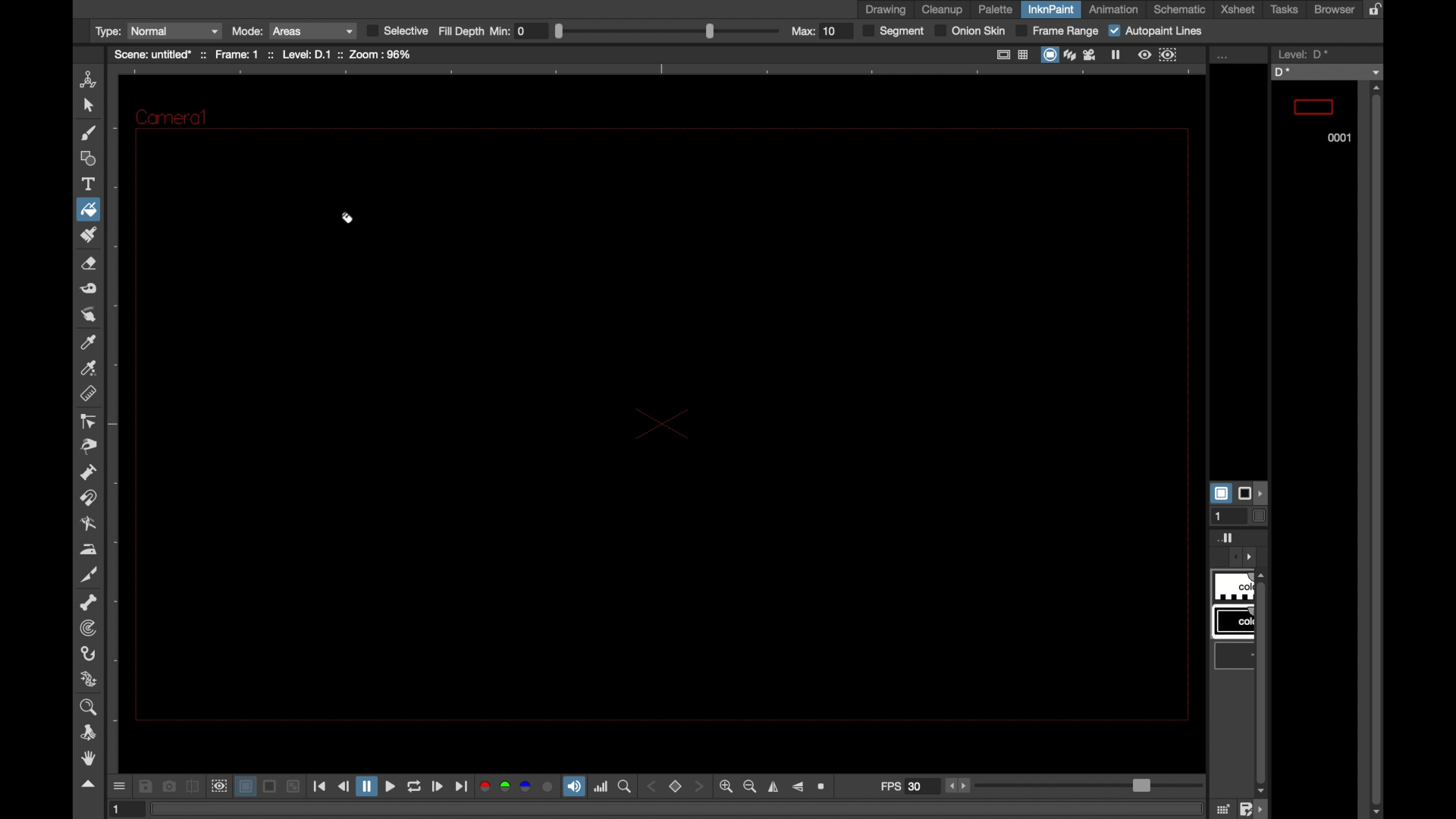  What do you see at coordinates (1301, 53) in the screenshot?
I see `level` at bounding box center [1301, 53].